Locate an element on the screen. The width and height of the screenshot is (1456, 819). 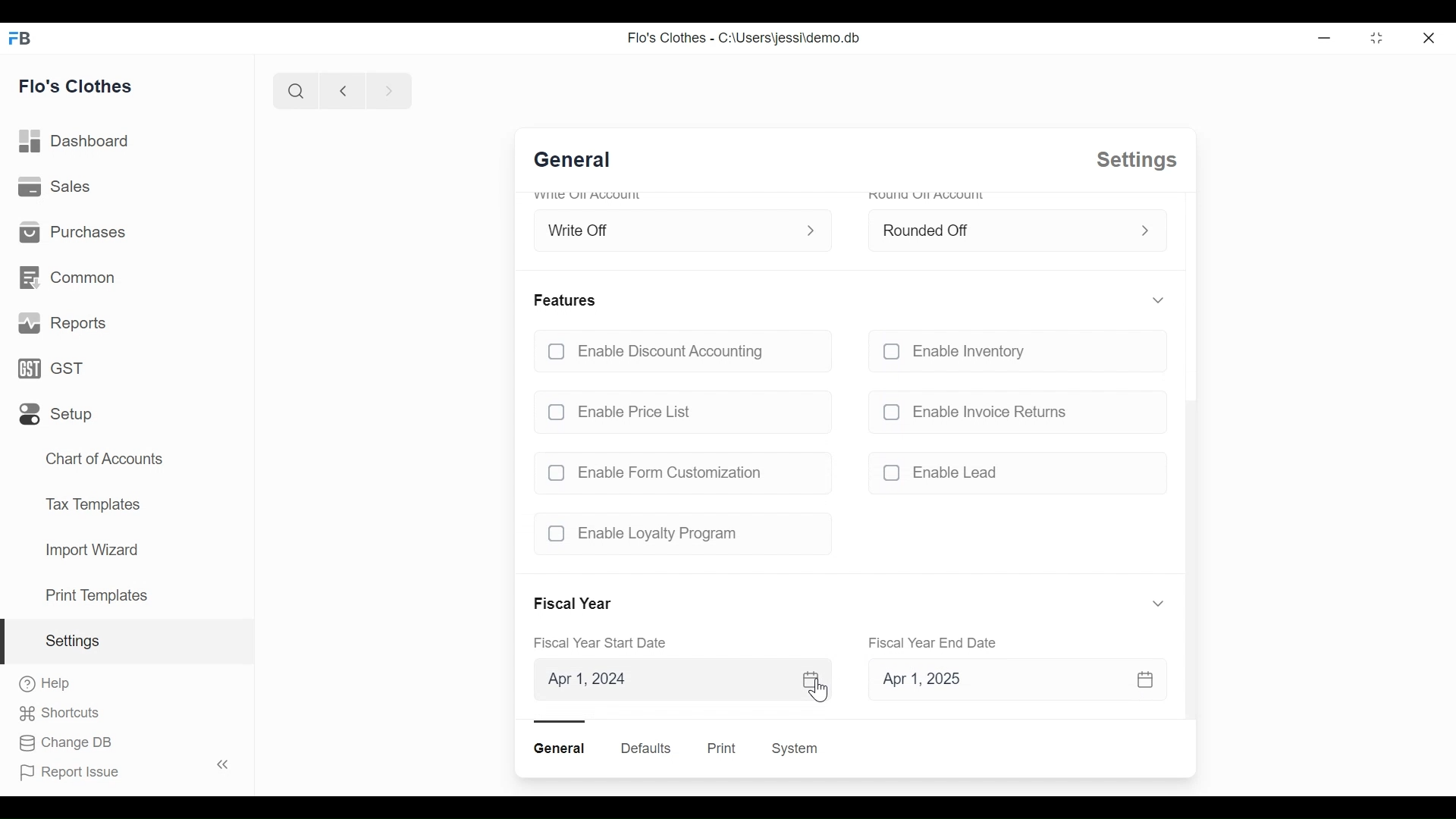
Sales is located at coordinates (55, 187).